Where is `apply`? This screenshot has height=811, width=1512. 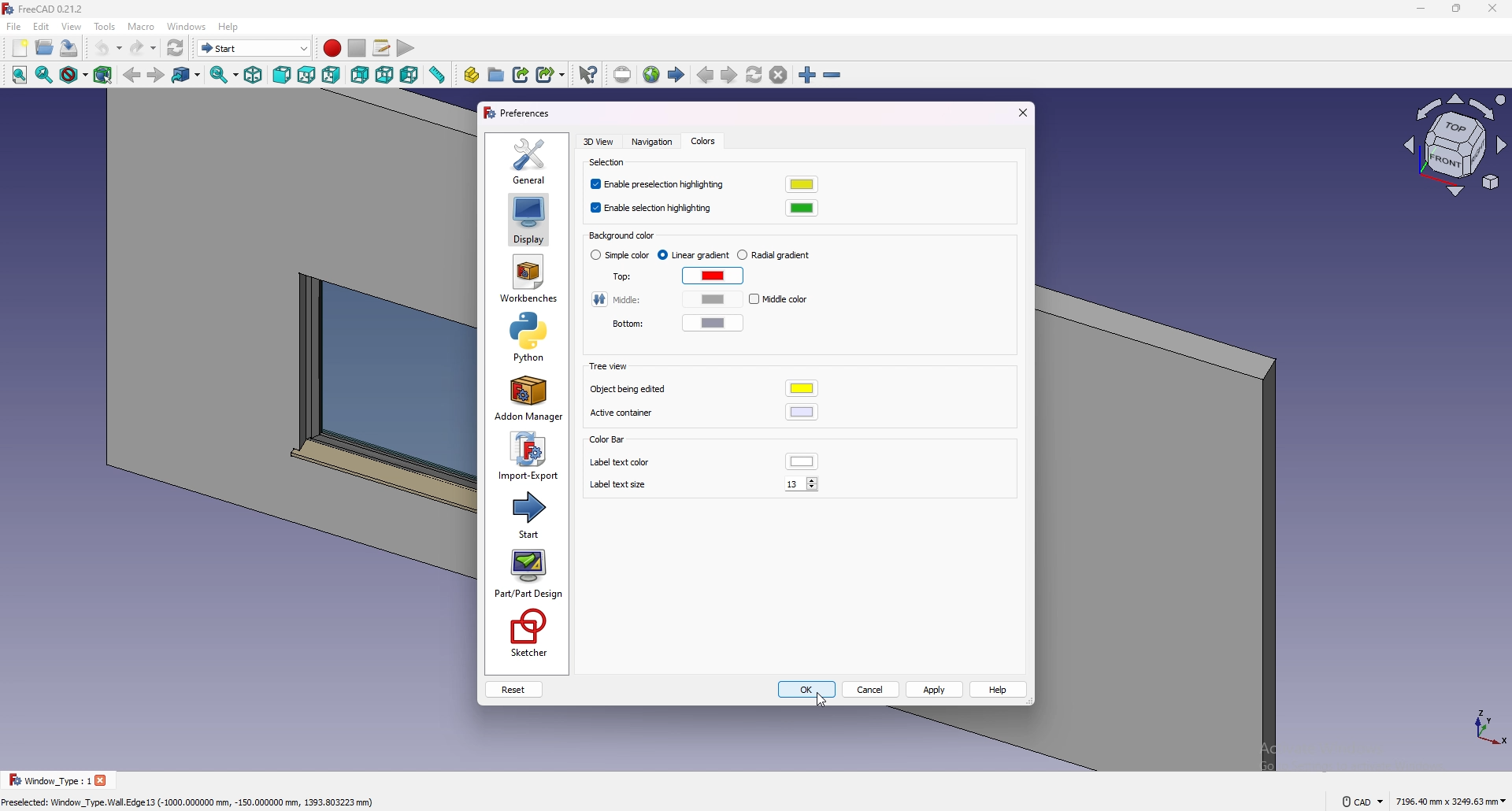 apply is located at coordinates (936, 689).